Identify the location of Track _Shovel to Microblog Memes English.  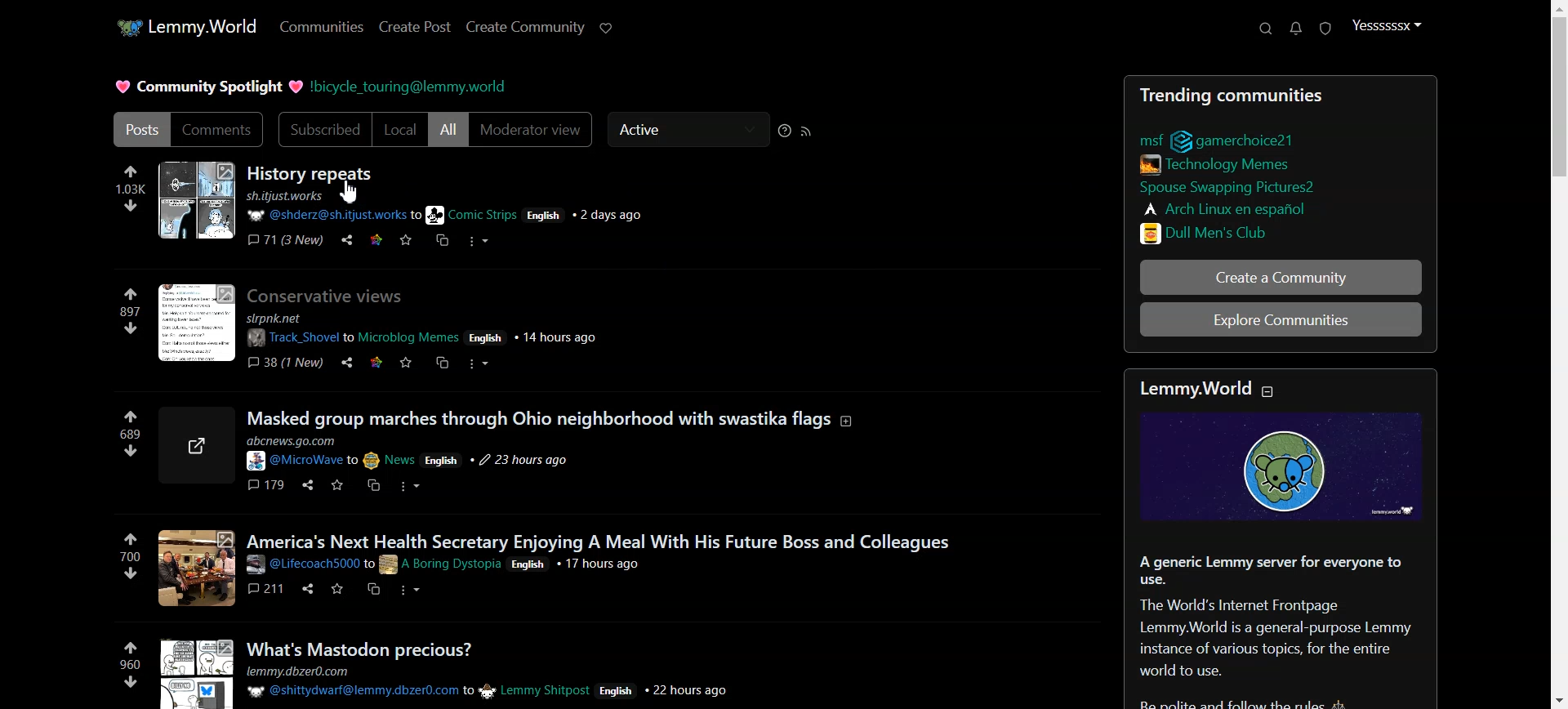
(381, 337).